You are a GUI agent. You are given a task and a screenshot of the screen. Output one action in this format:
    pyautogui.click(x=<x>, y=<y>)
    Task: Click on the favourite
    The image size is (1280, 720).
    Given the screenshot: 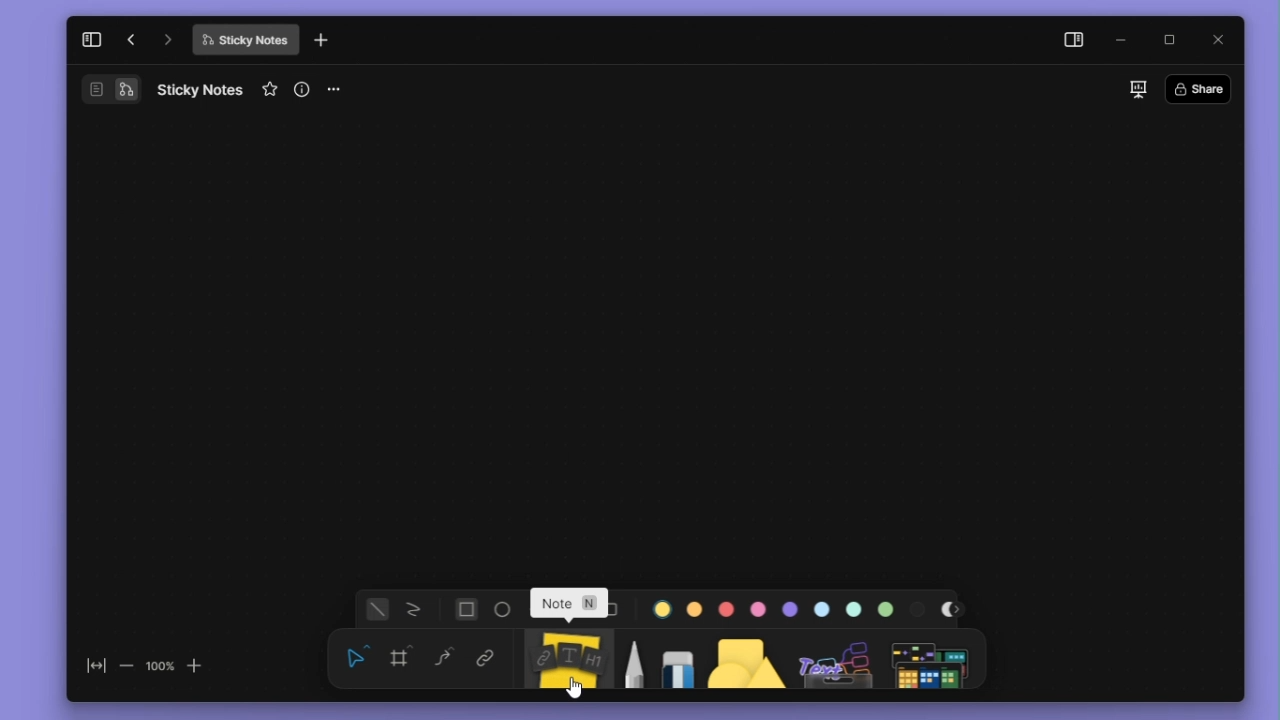 What is the action you would take?
    pyautogui.click(x=270, y=92)
    